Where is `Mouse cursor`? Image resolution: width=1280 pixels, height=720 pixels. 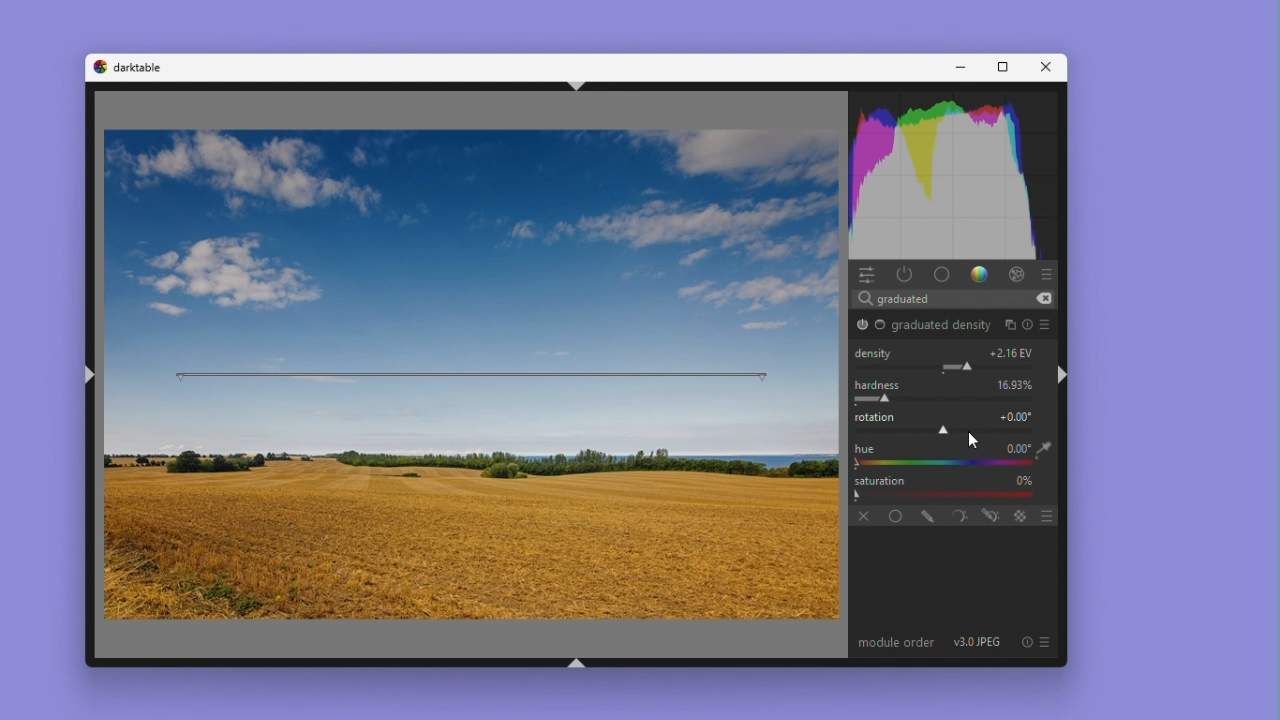
Mouse cursor is located at coordinates (975, 441).